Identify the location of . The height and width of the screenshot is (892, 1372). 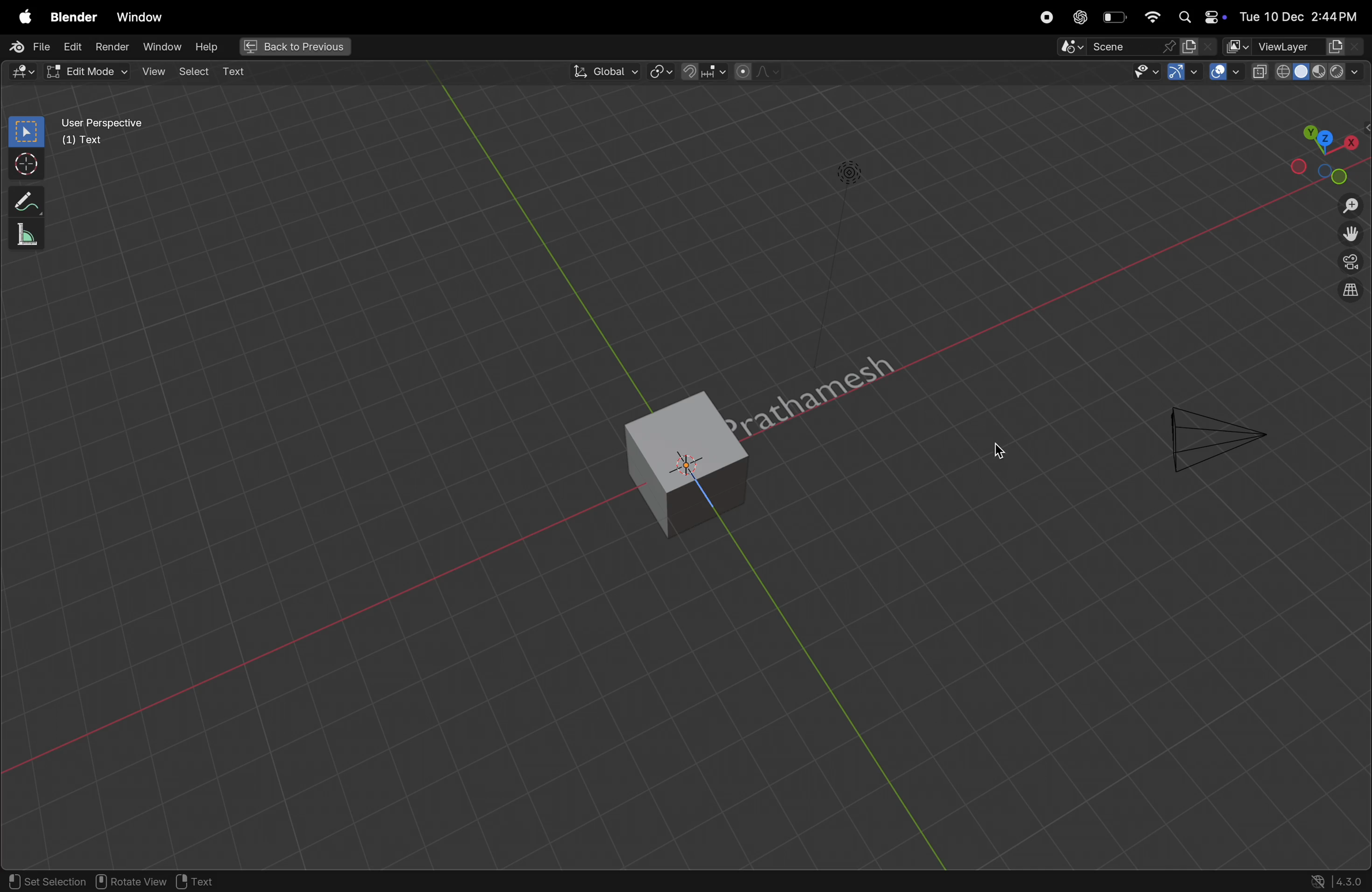
(1225, 72).